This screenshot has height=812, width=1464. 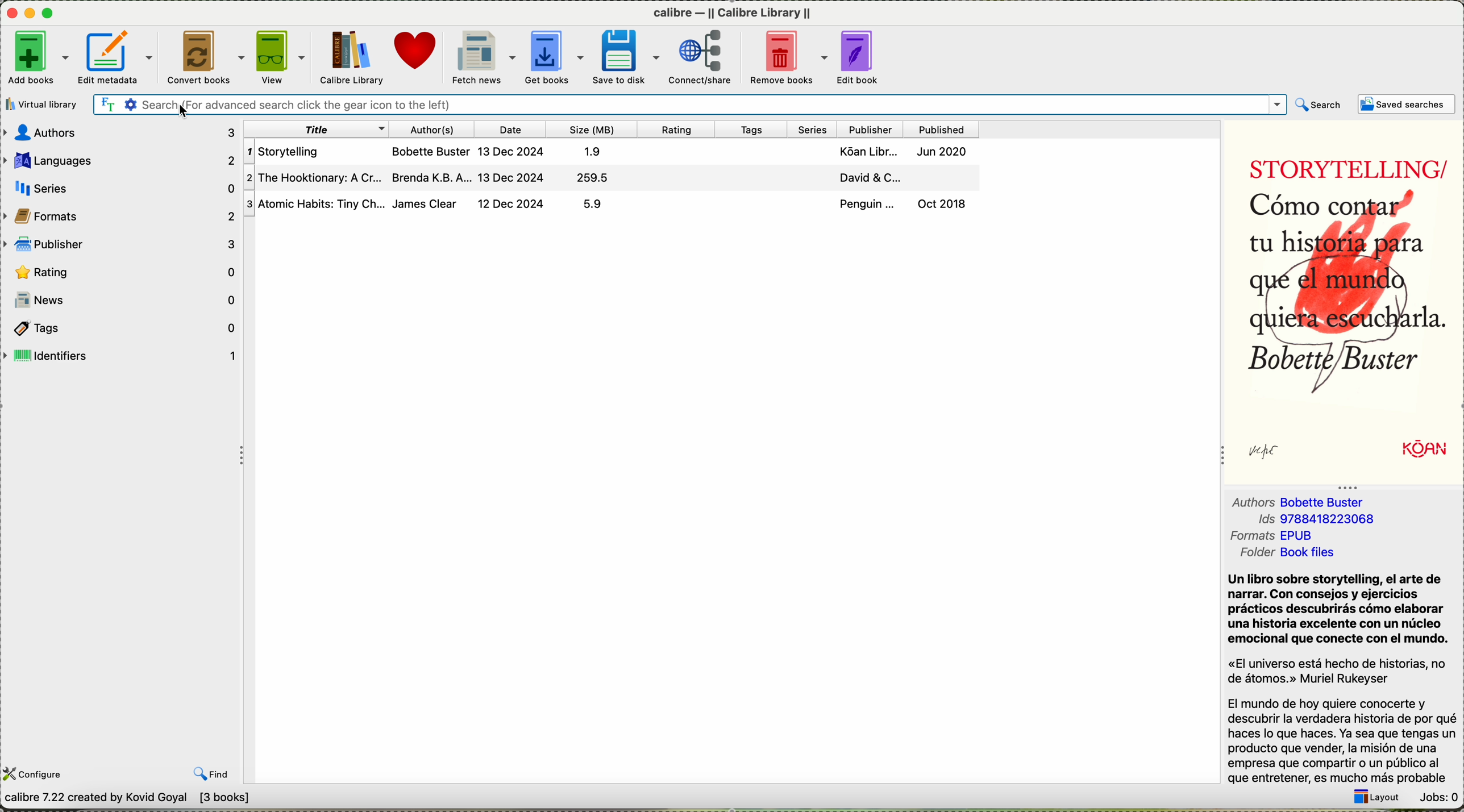 I want to click on connect/share, so click(x=702, y=56).